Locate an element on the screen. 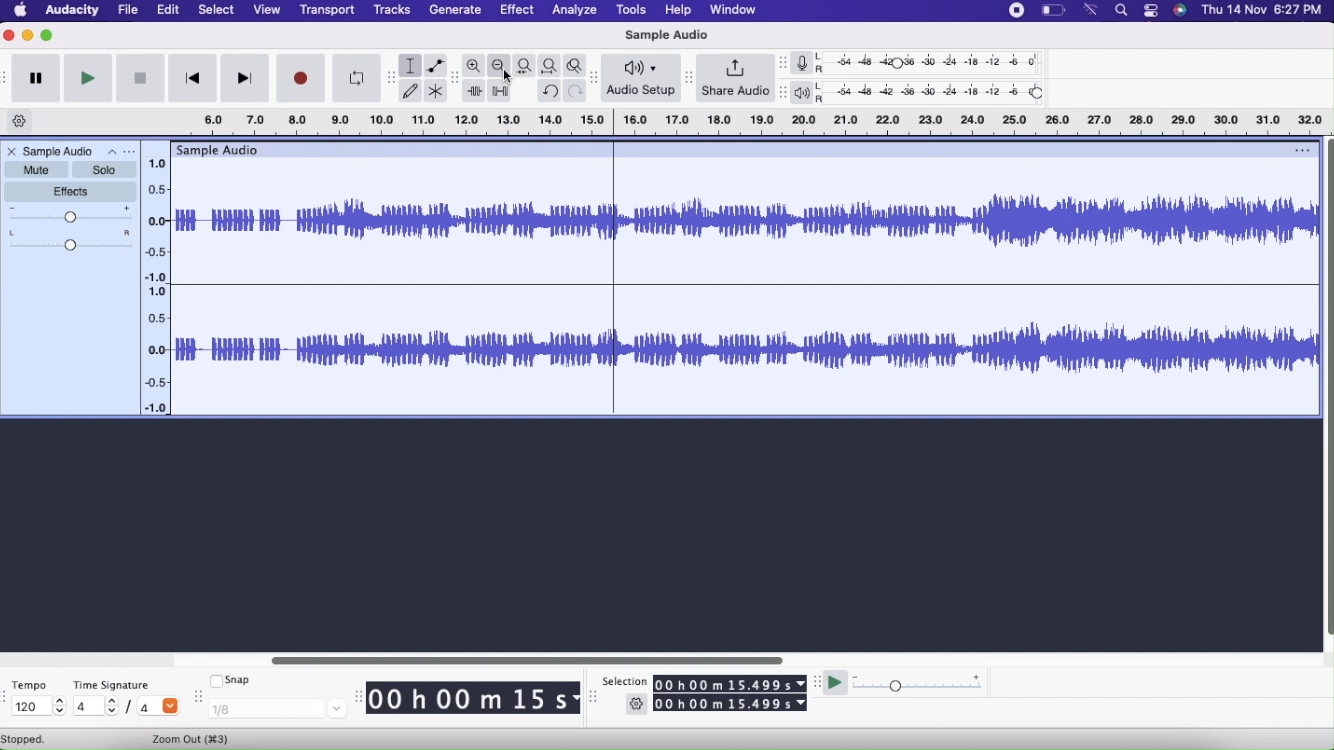 Image resolution: width=1334 pixels, height=750 pixels. 00 h 00 m 15.499 s is located at coordinates (731, 704).